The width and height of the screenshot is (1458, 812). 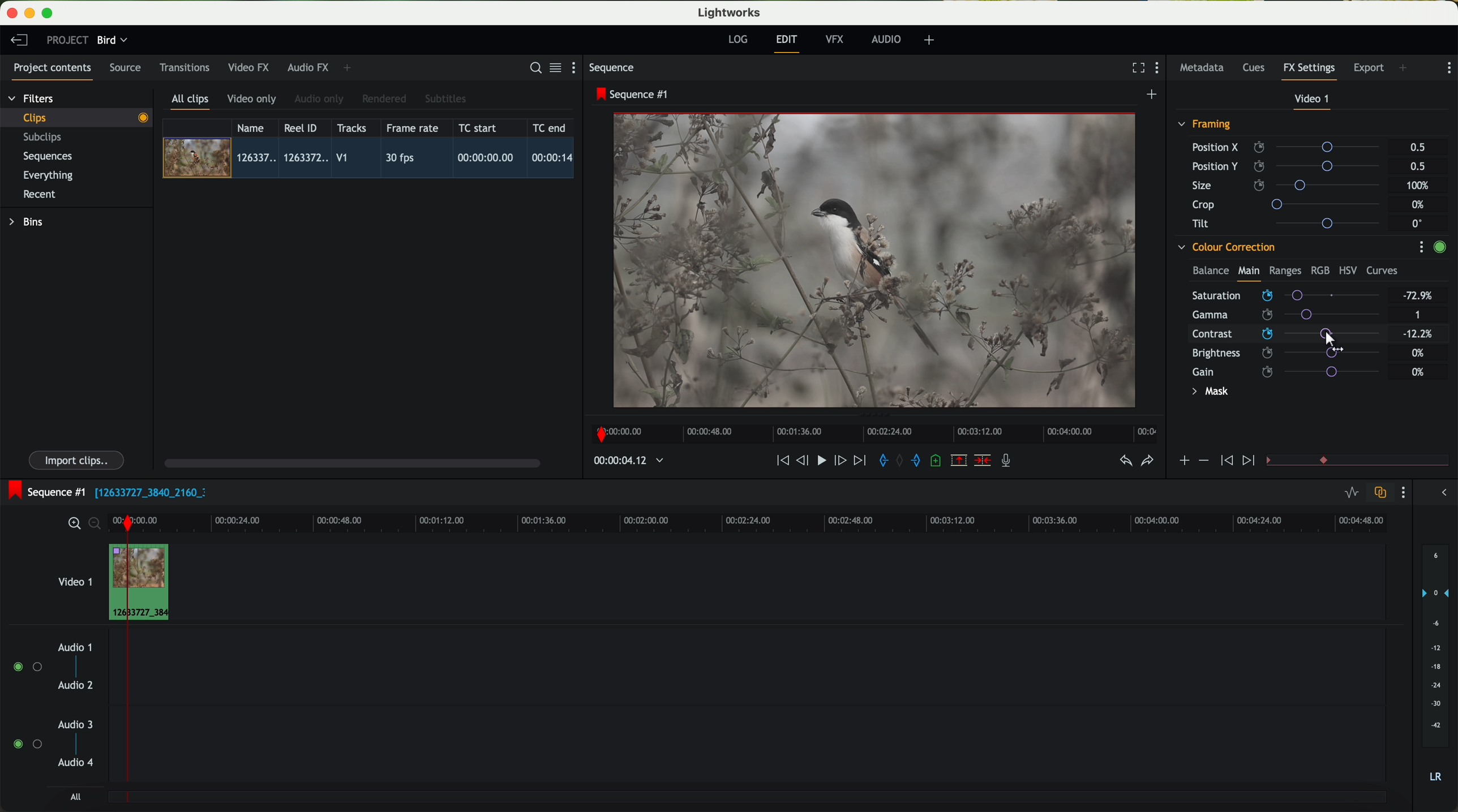 I want to click on nudge one frame back, so click(x=804, y=462).